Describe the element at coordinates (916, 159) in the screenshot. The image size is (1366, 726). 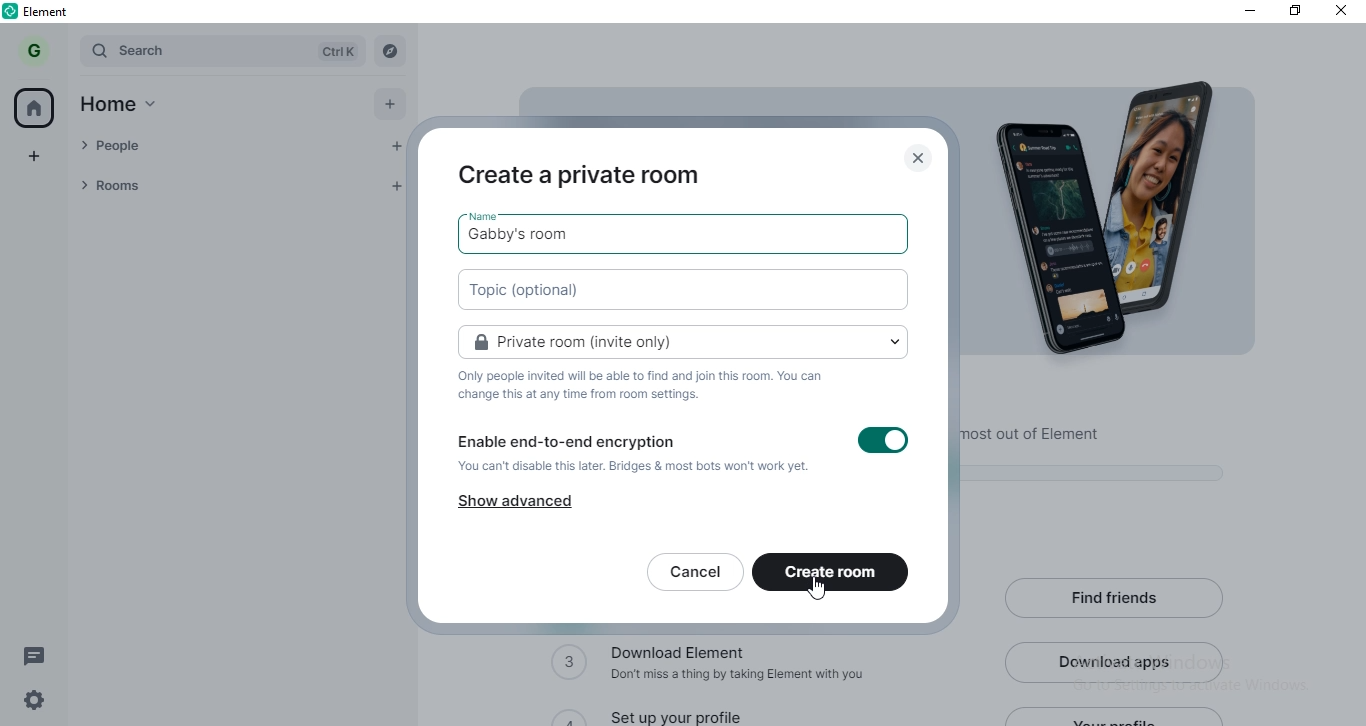
I see `close` at that location.